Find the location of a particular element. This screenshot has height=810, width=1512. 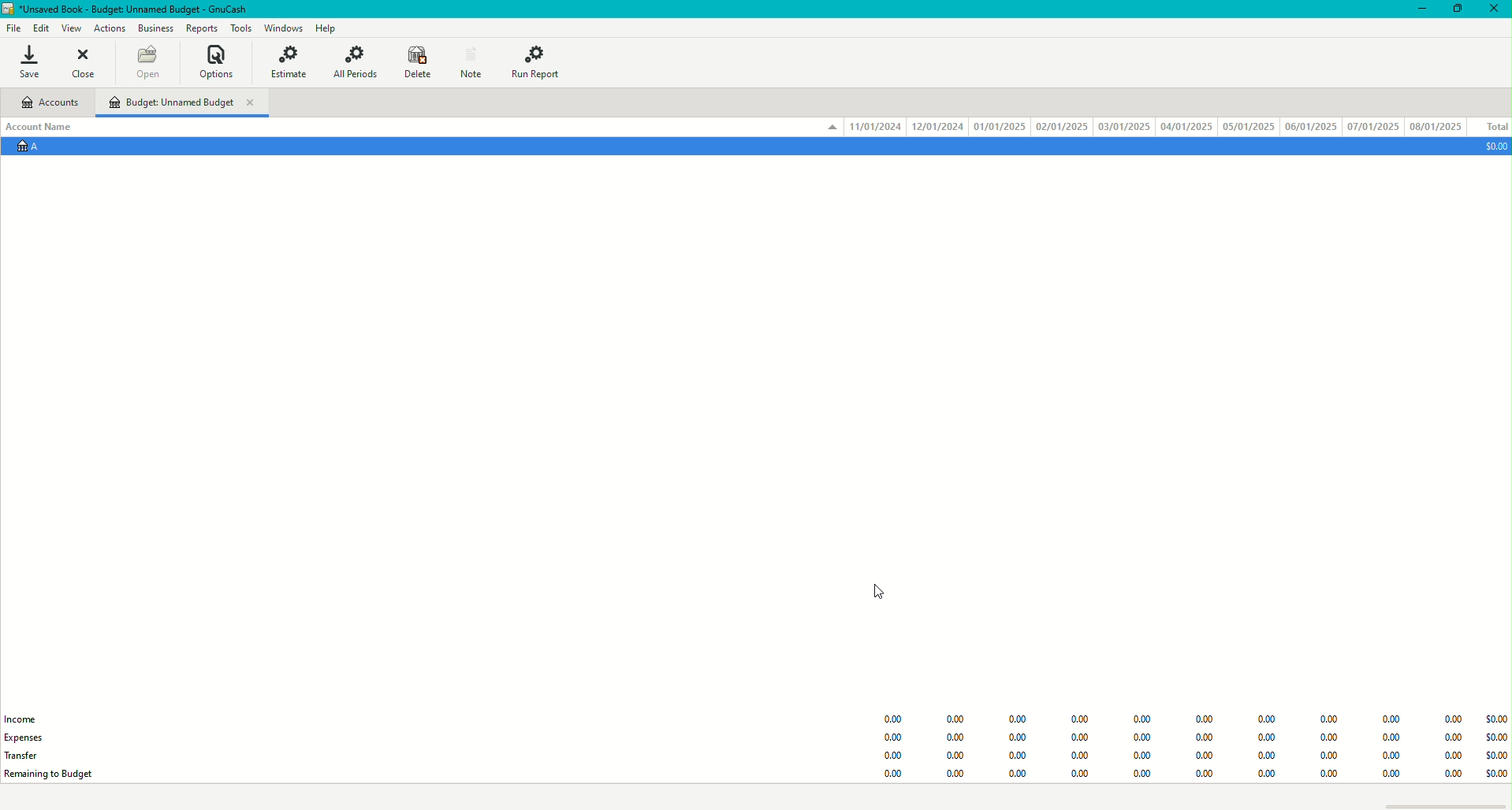

Close is located at coordinates (85, 63).